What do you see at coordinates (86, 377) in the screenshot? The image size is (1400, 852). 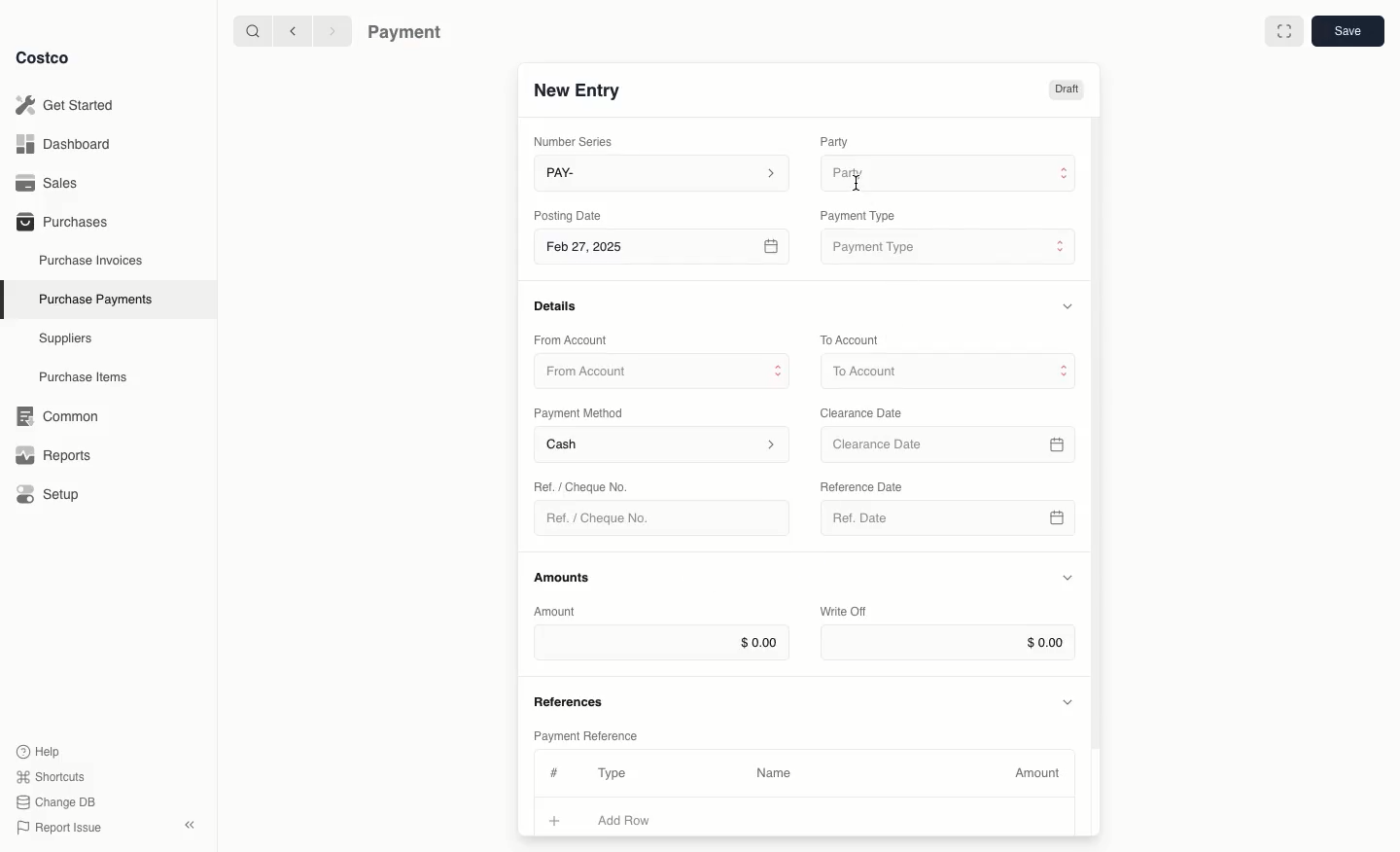 I see `Purchase Items` at bounding box center [86, 377].